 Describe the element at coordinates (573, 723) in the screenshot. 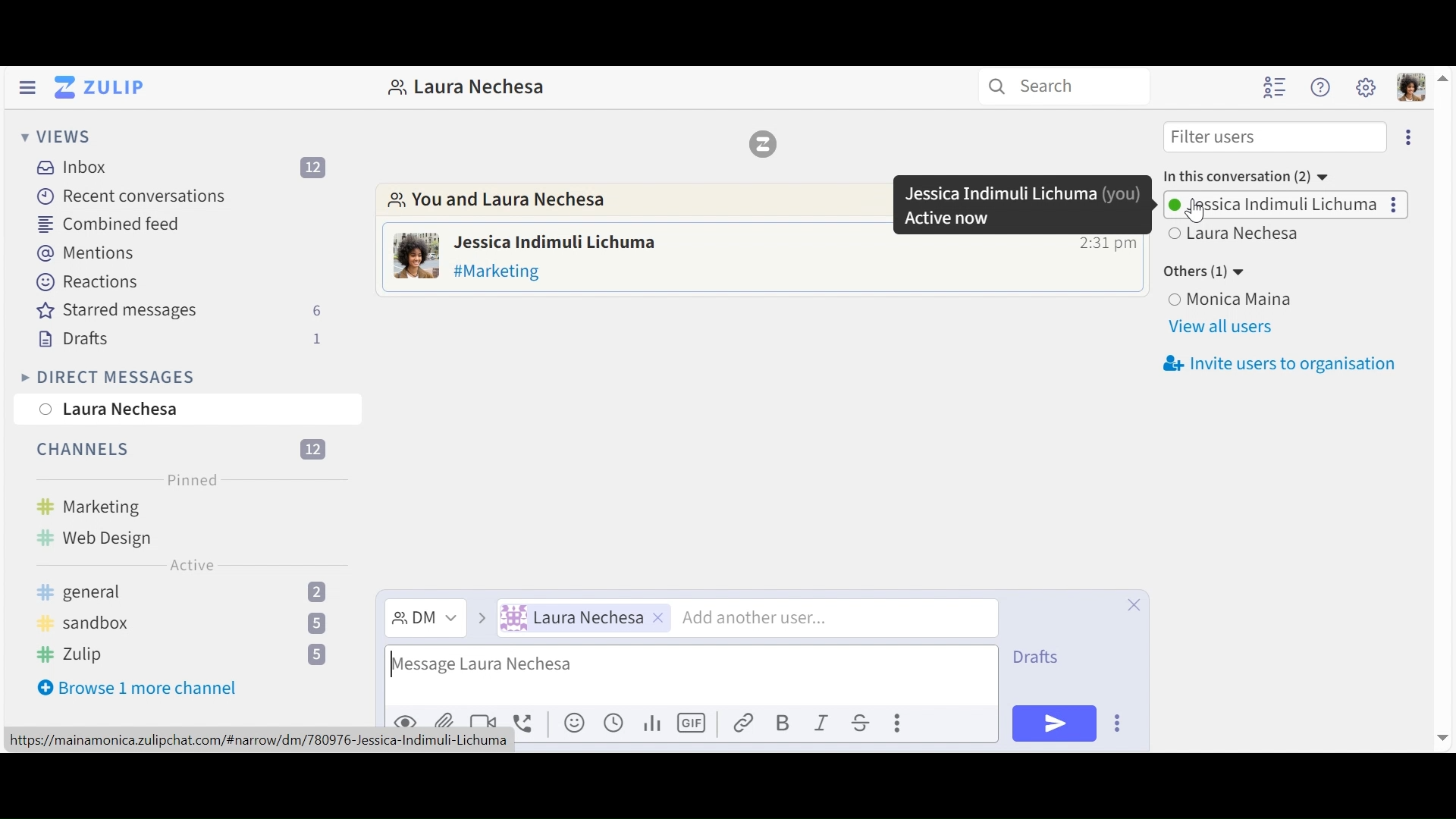

I see `Add emoji` at that location.